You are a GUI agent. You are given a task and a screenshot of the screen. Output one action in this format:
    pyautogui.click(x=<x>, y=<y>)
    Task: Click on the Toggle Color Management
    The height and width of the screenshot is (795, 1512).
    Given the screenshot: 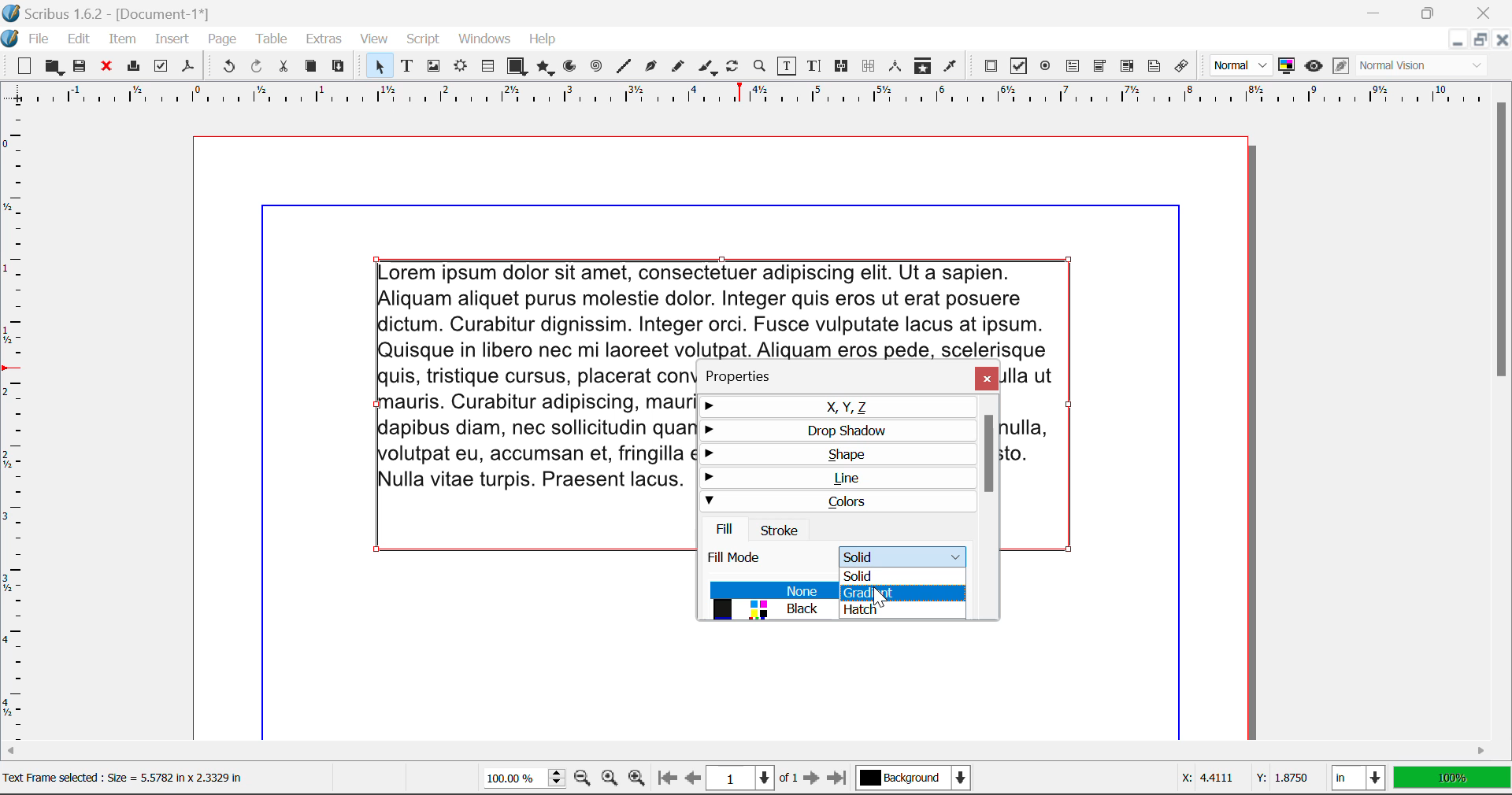 What is the action you would take?
    pyautogui.click(x=1287, y=66)
    